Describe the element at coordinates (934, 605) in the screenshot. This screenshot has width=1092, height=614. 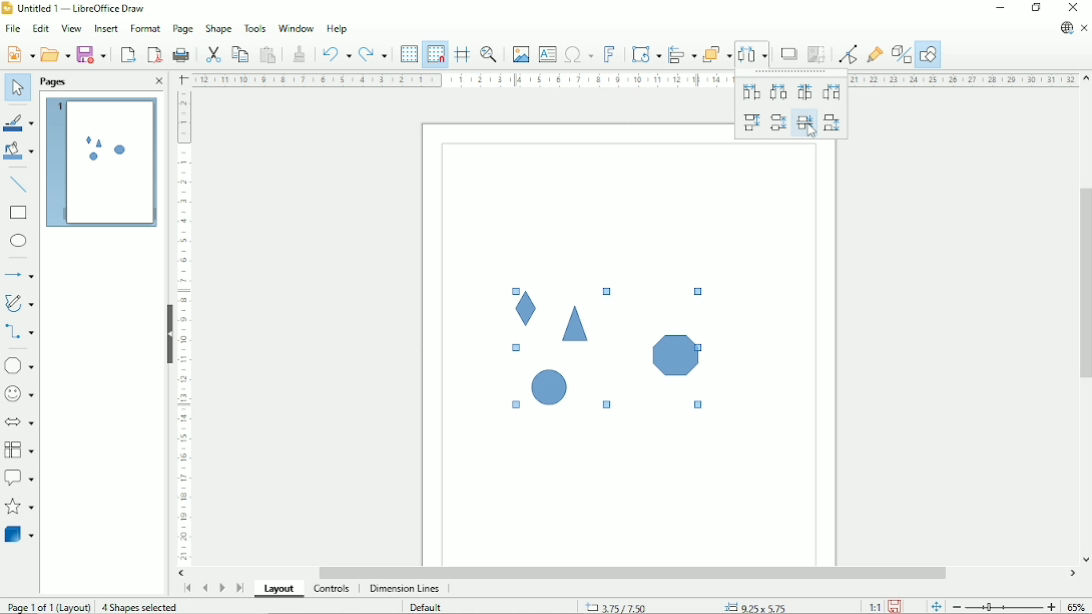
I see `Fit page to the current window` at that location.